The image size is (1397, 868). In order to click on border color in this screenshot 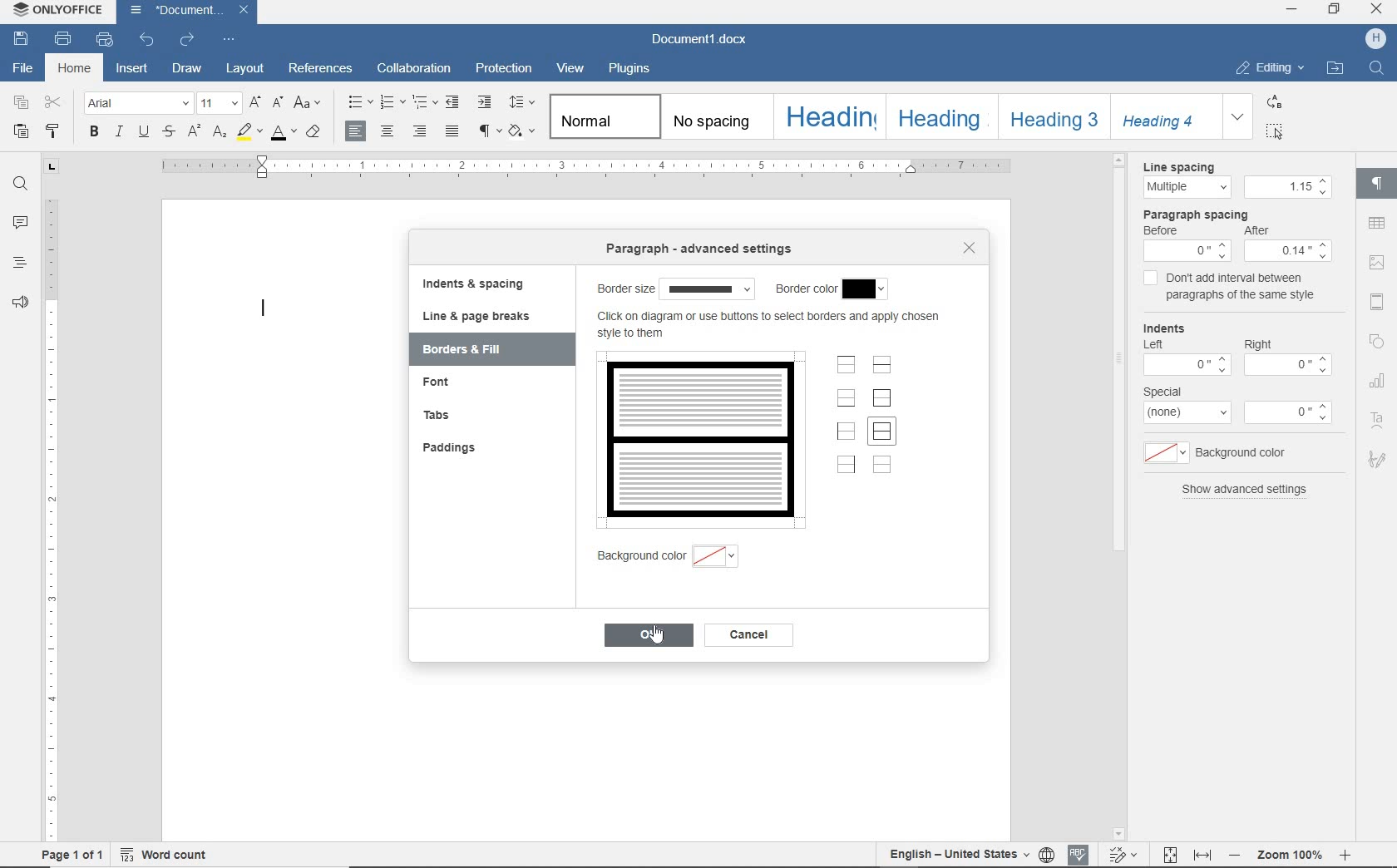, I will do `click(832, 289)`.